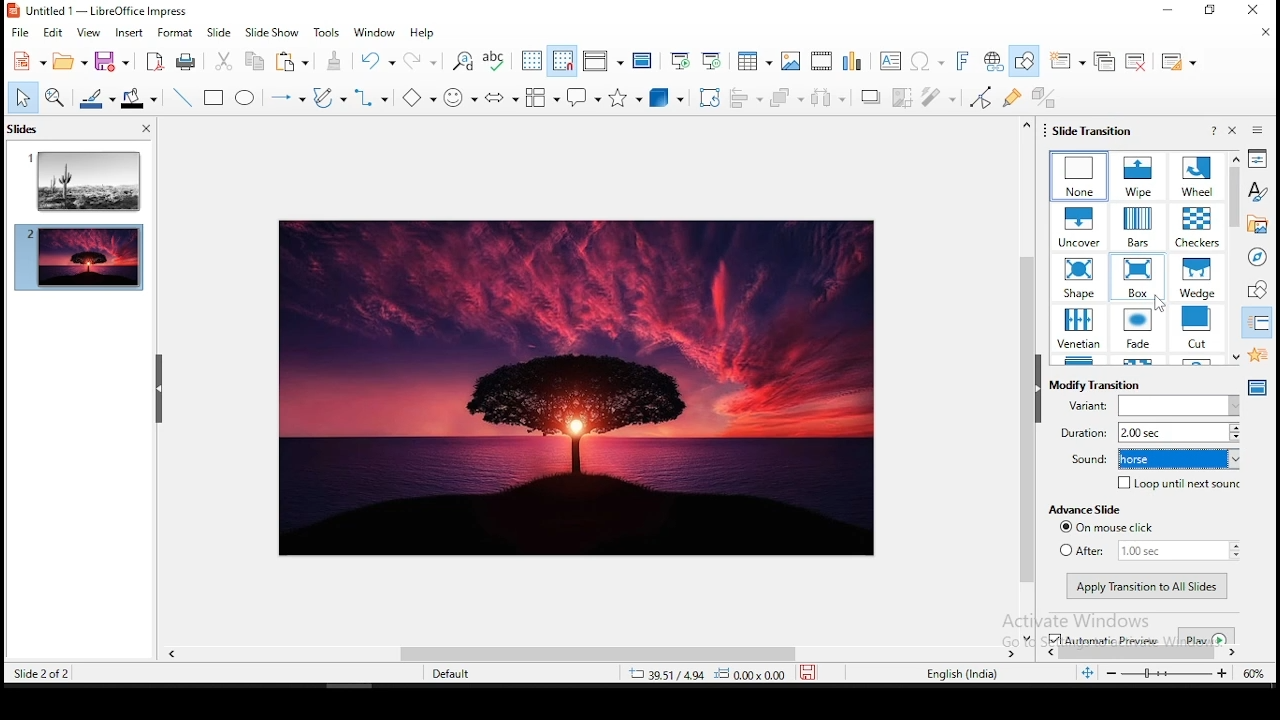 The image size is (1280, 720). I want to click on styles, so click(1254, 194).